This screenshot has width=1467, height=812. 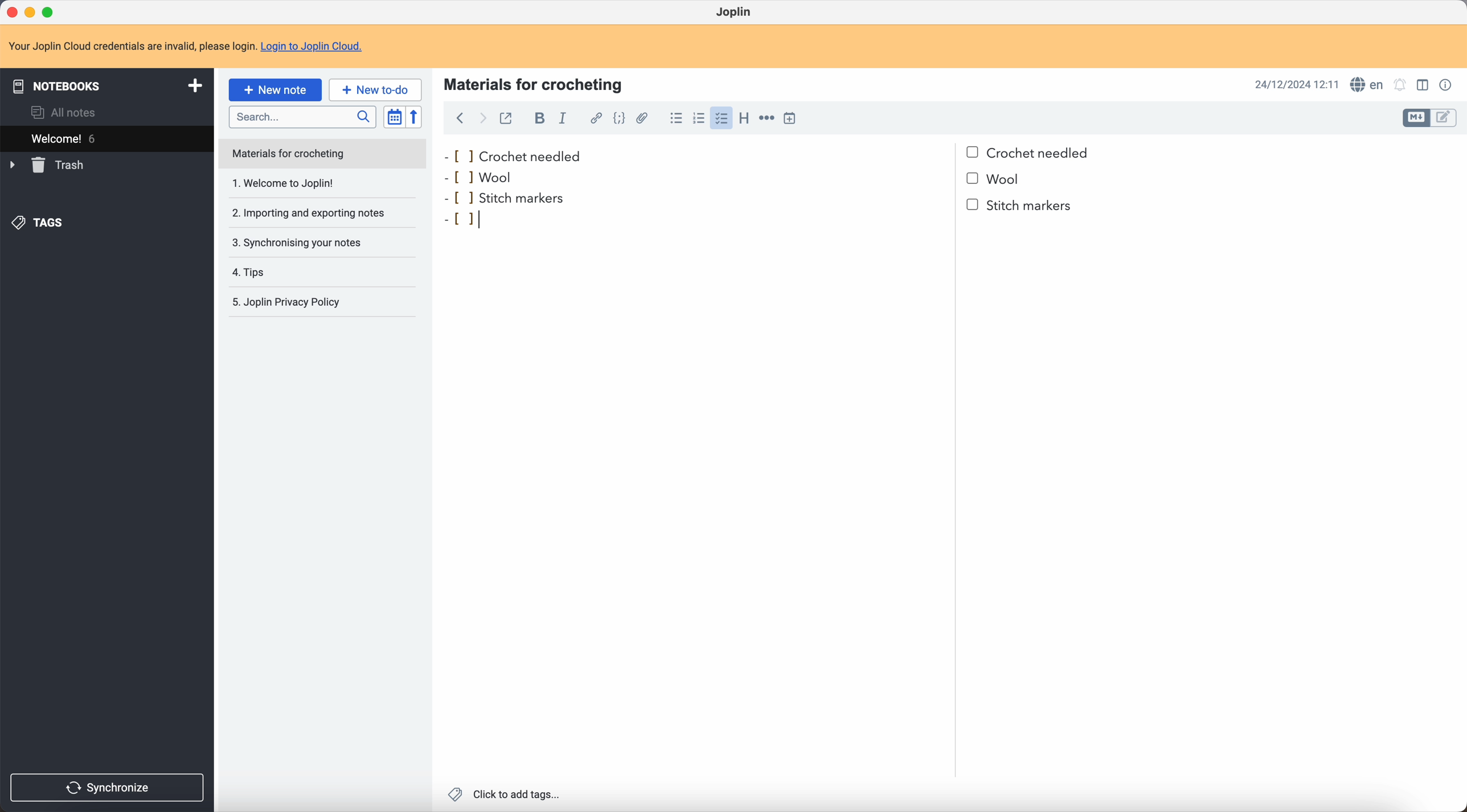 What do you see at coordinates (301, 272) in the screenshot?
I see `tips` at bounding box center [301, 272].